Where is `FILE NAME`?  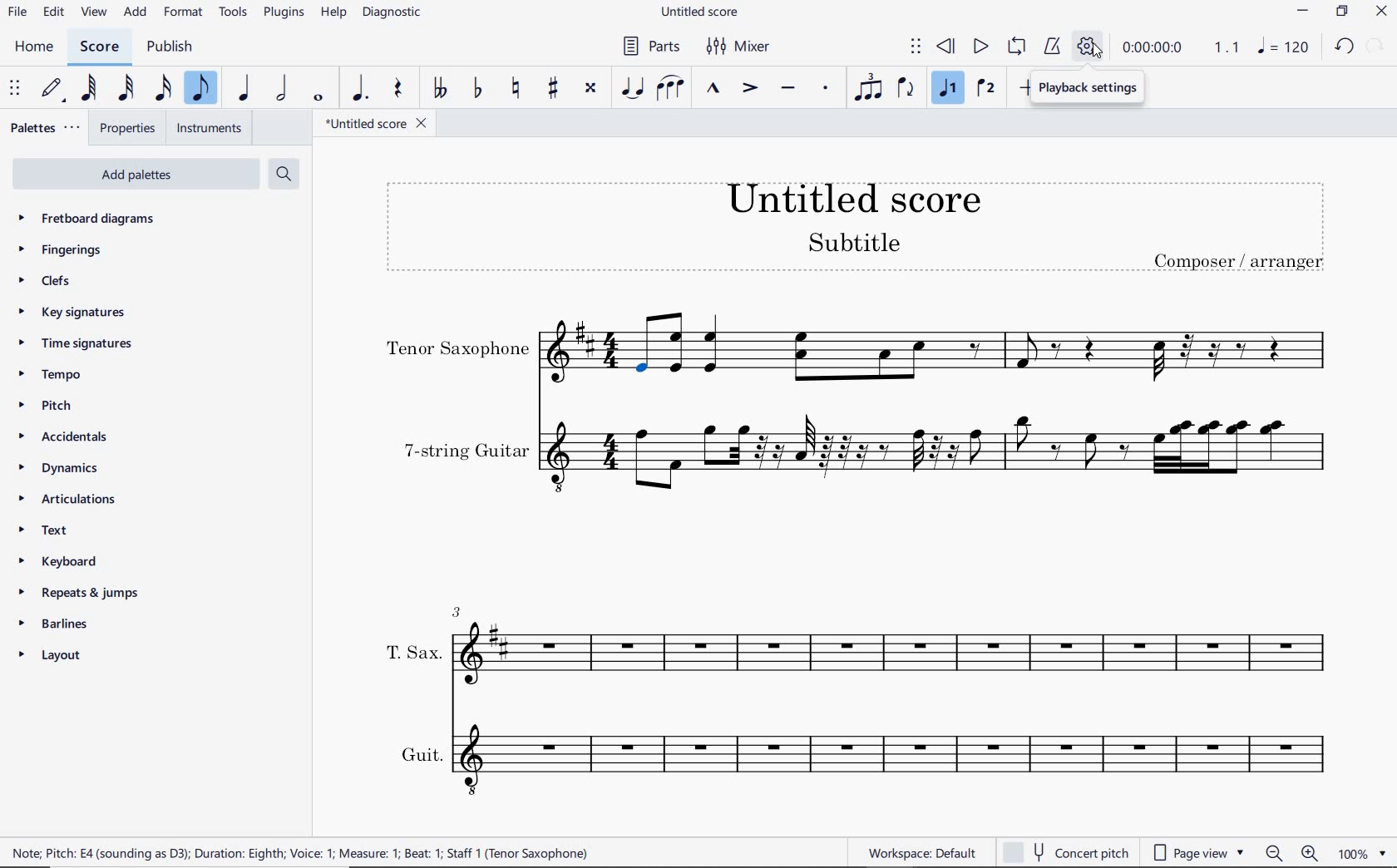 FILE NAME is located at coordinates (378, 126).